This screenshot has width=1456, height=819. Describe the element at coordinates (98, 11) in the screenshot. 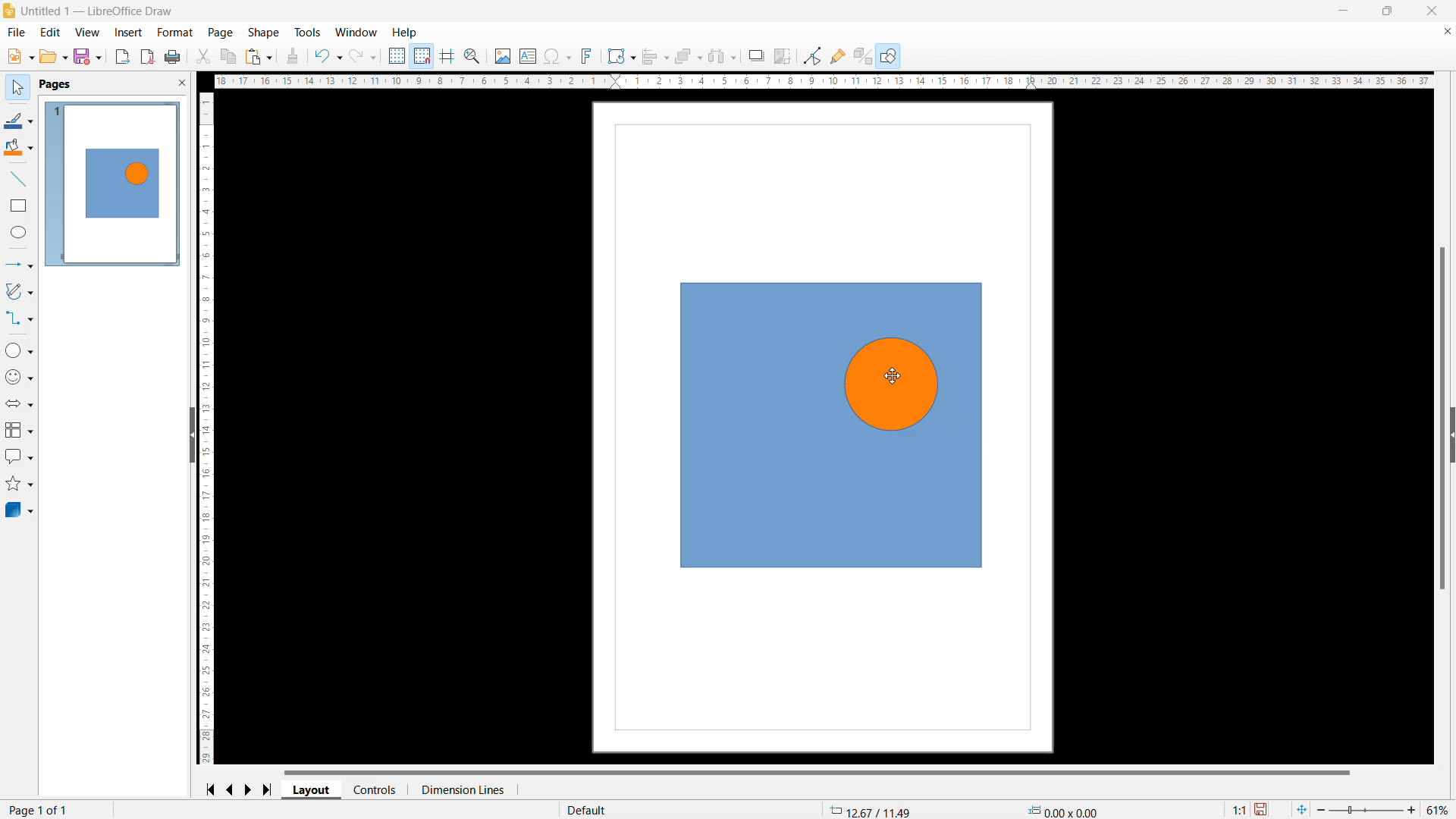

I see `Untitled 1 - LibreOffice Draw` at that location.